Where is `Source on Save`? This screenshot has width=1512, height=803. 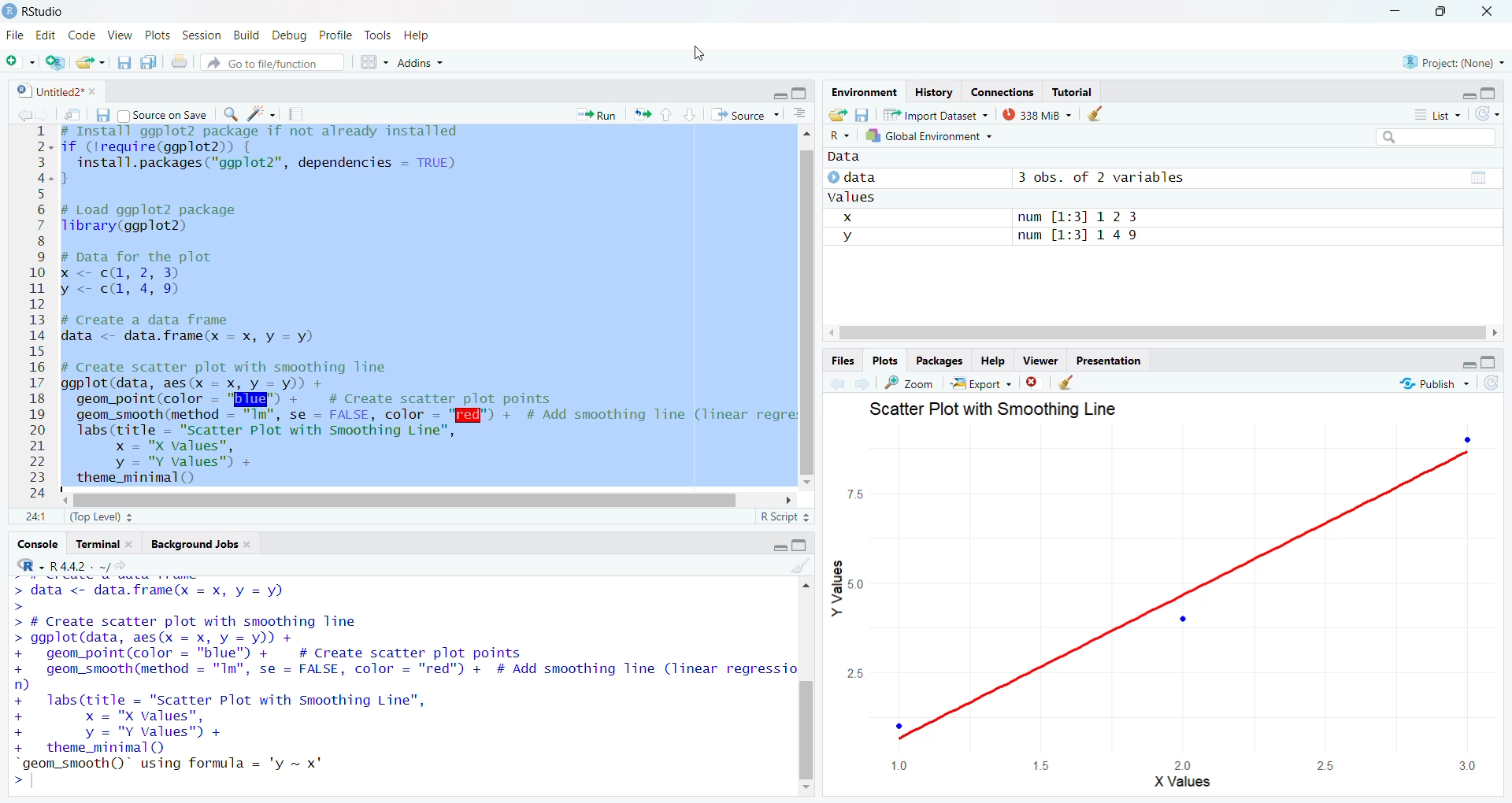 Source on Save is located at coordinates (161, 117).